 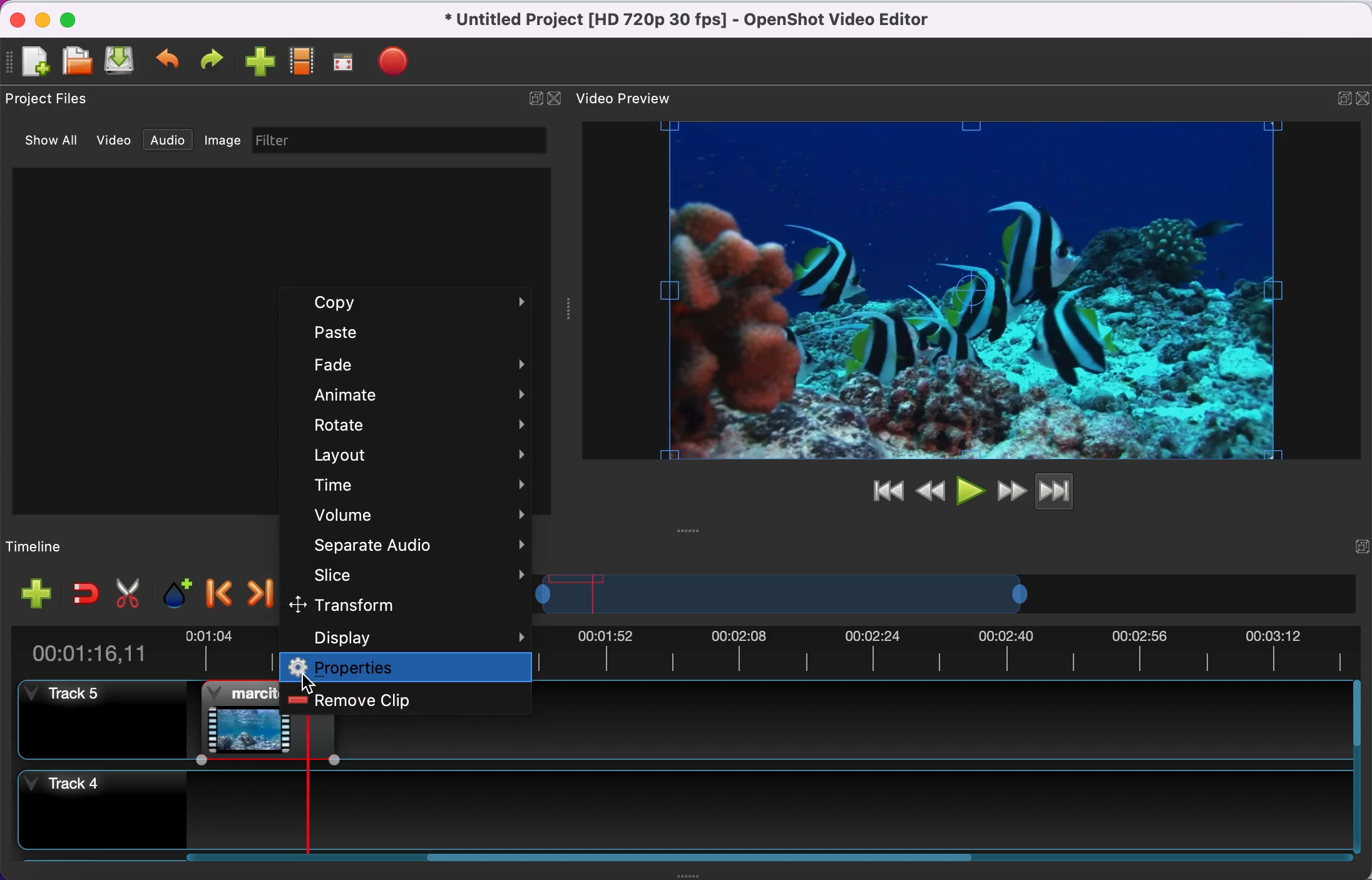 I want to click on add track, so click(x=36, y=595).